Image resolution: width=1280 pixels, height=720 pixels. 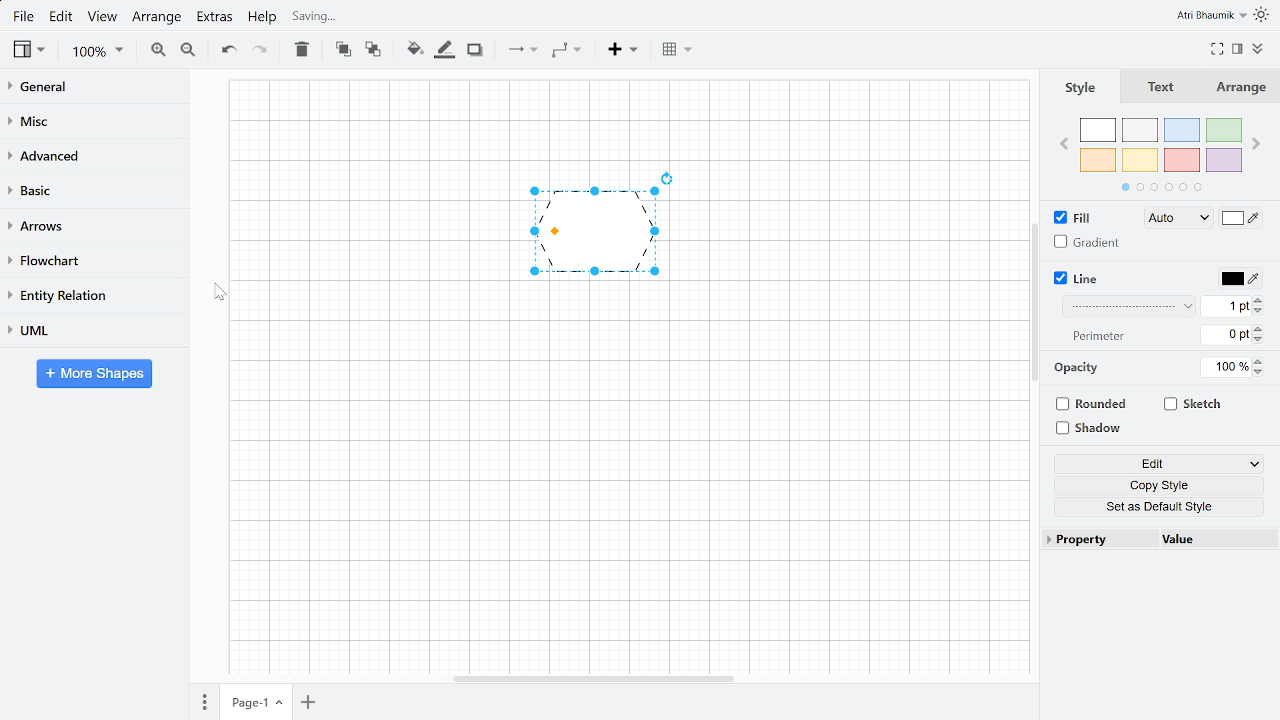 I want to click on Redo, so click(x=259, y=50).